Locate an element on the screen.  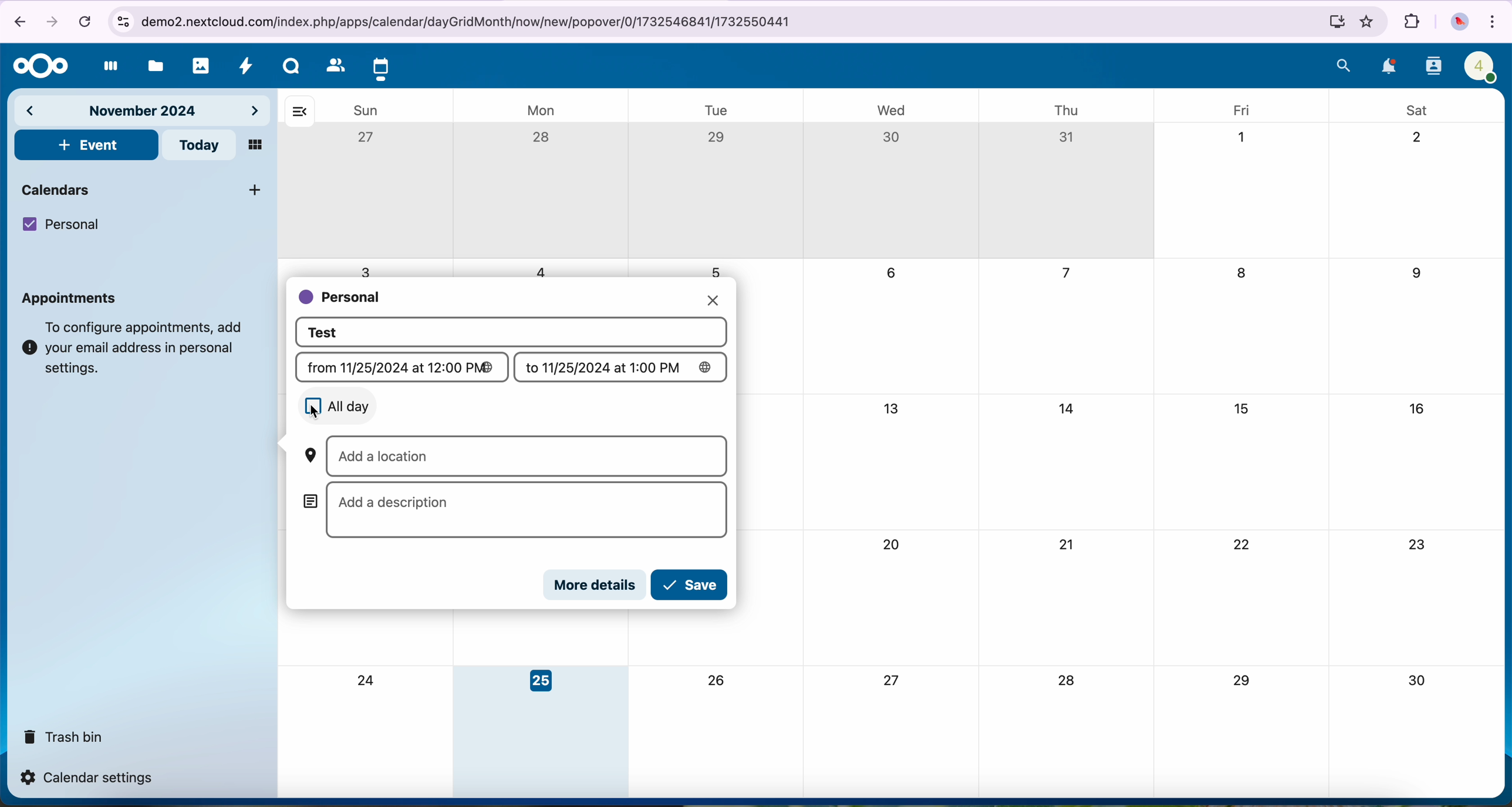
profile is located at coordinates (1481, 66).